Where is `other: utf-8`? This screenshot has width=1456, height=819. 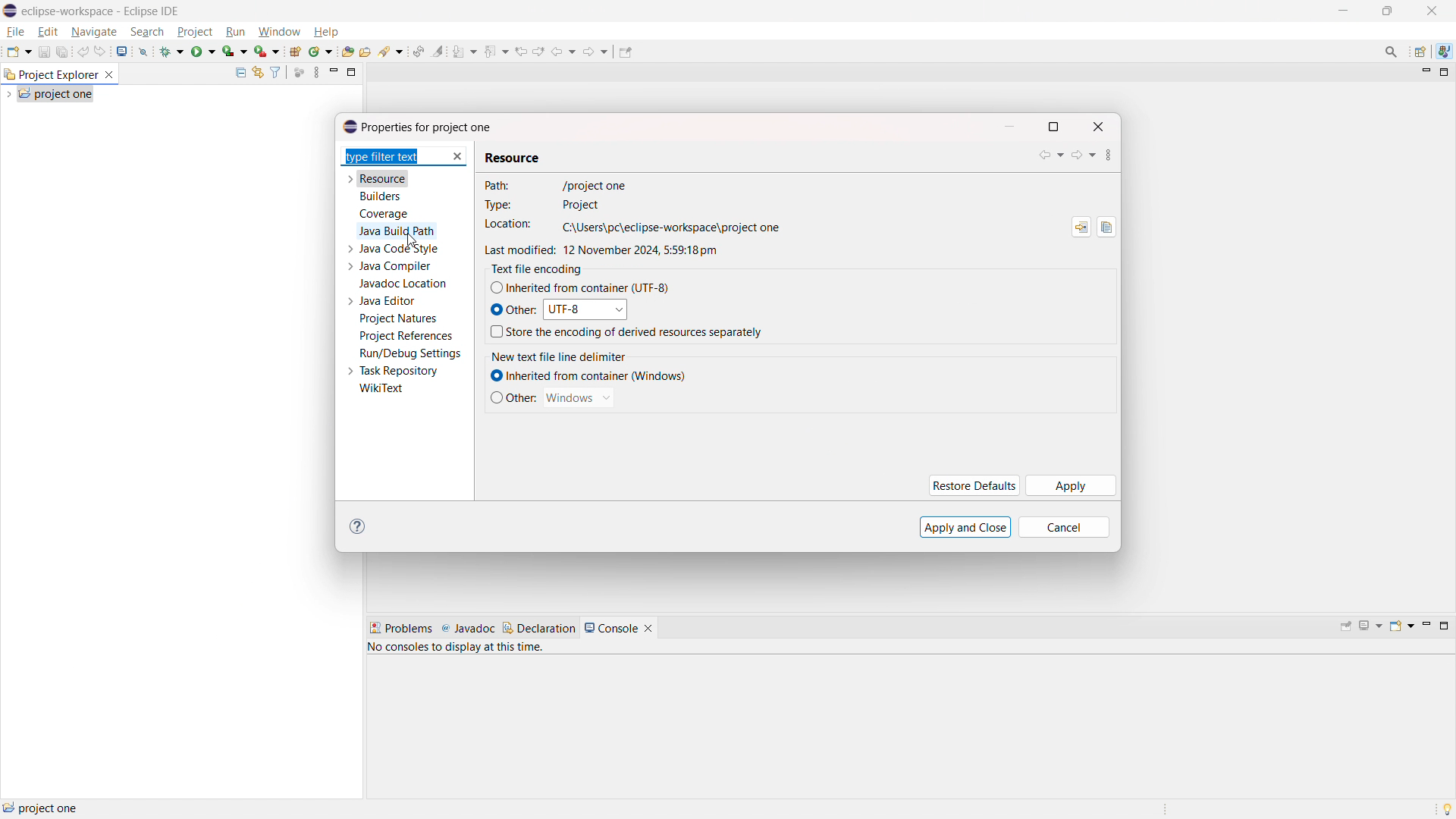
other: utf-8 is located at coordinates (557, 309).